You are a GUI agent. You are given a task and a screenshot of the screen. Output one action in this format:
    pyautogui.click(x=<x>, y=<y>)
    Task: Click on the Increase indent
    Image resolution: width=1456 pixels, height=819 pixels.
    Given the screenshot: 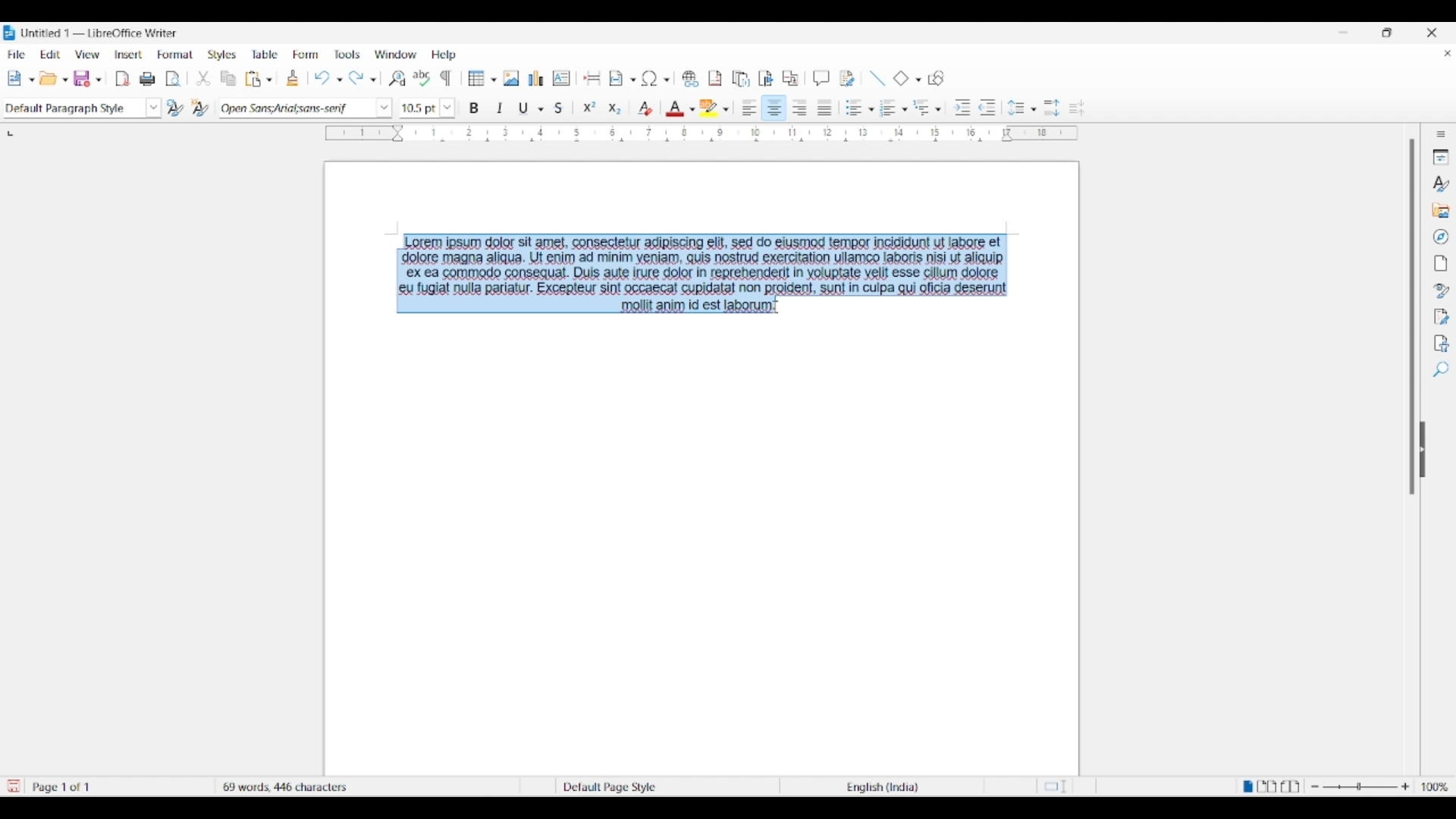 What is the action you would take?
    pyautogui.click(x=962, y=108)
    